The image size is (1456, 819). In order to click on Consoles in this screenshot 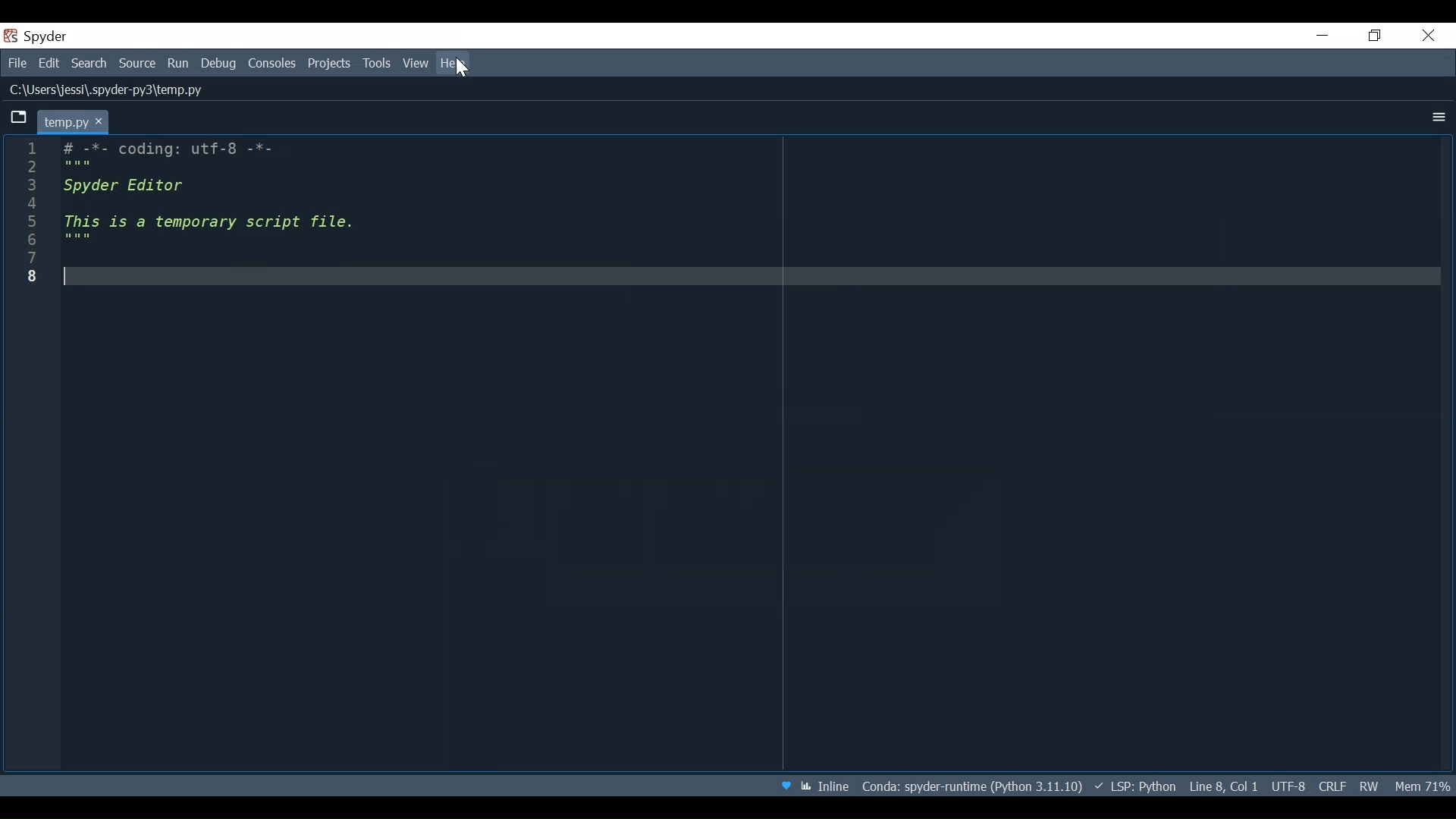, I will do `click(274, 65)`.